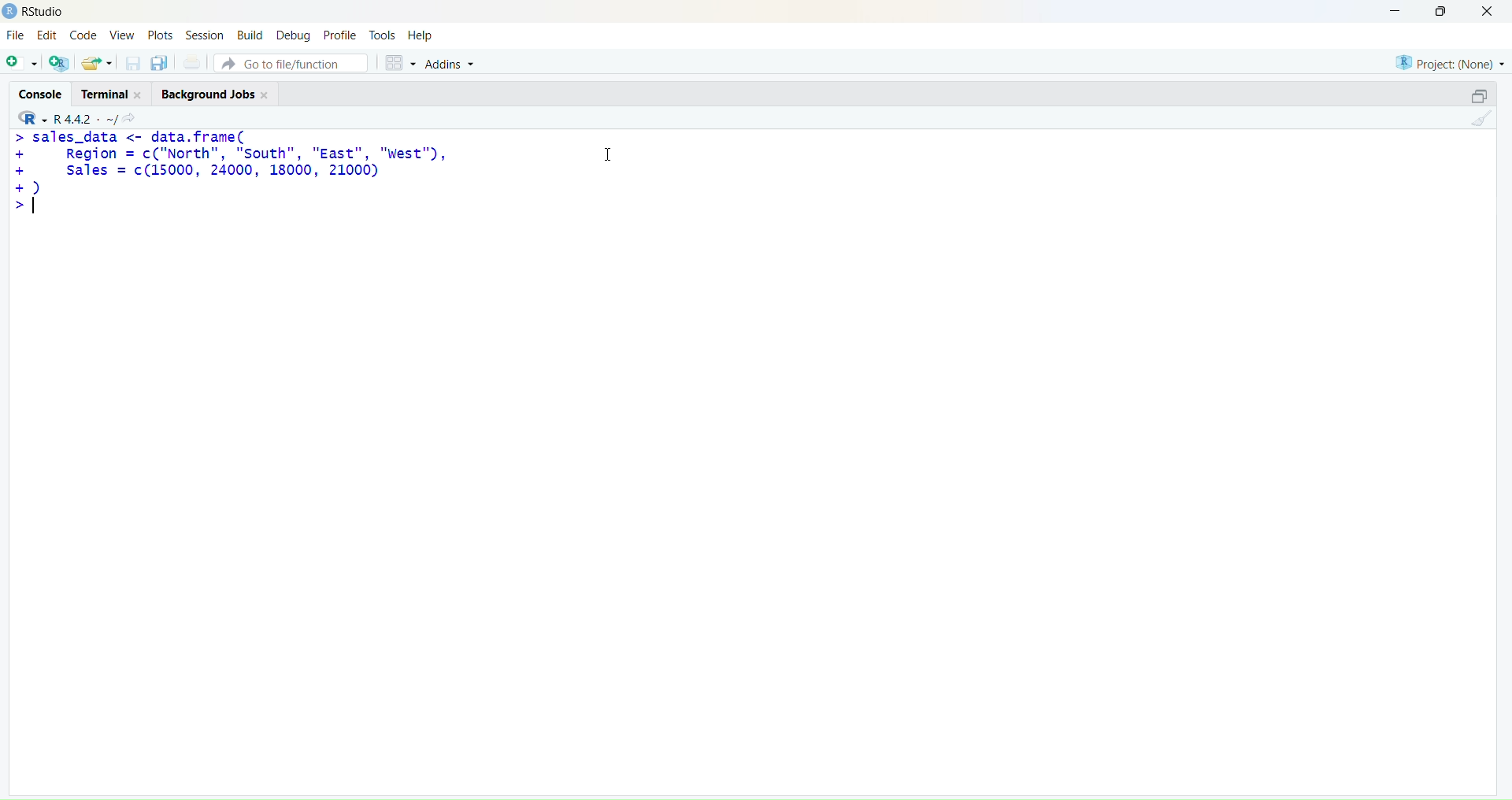 The width and height of the screenshot is (1512, 800). I want to click on add script, so click(20, 64).